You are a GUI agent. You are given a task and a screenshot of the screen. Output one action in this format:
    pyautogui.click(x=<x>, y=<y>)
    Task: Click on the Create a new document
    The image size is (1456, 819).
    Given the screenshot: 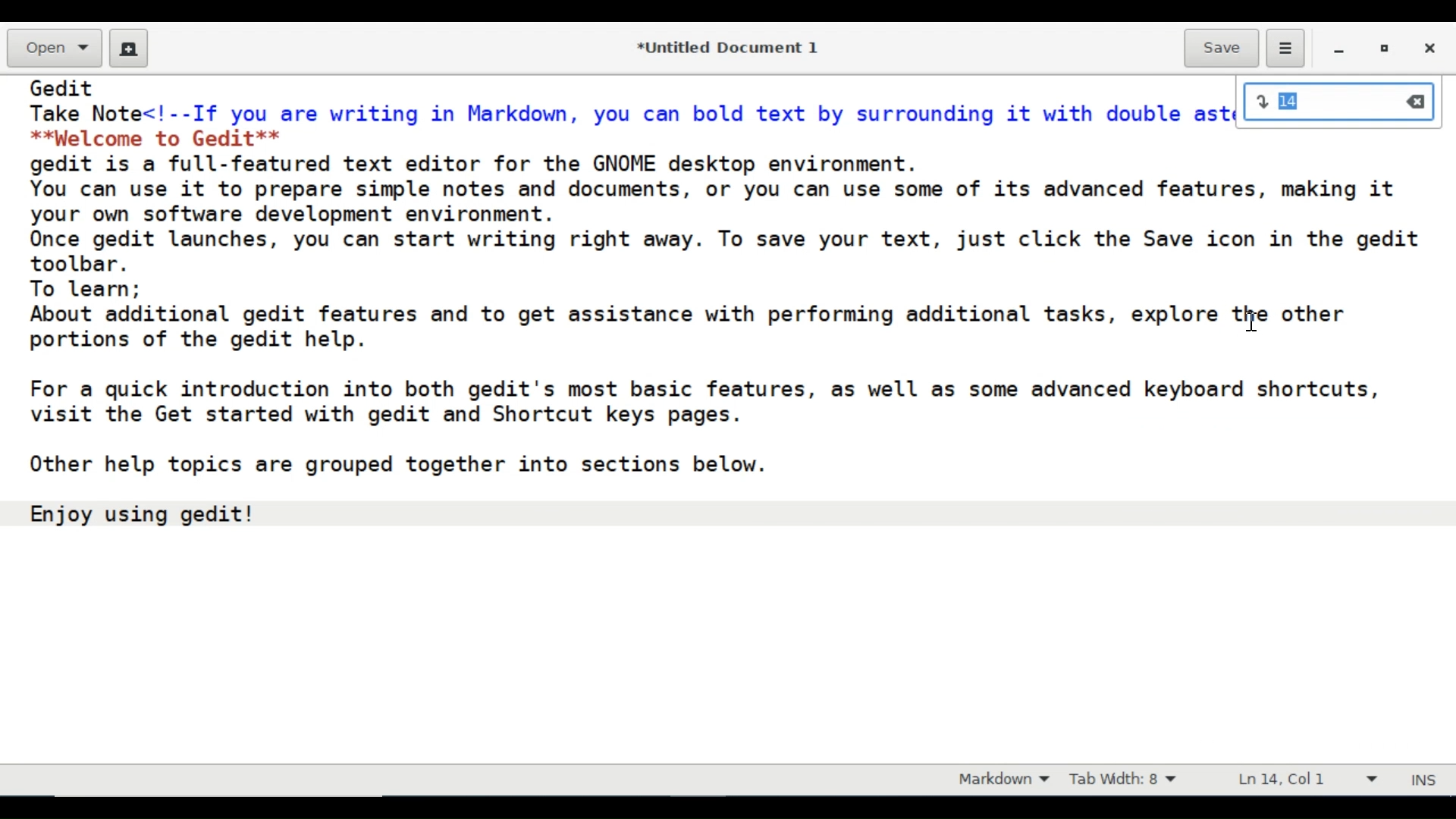 What is the action you would take?
    pyautogui.click(x=130, y=49)
    